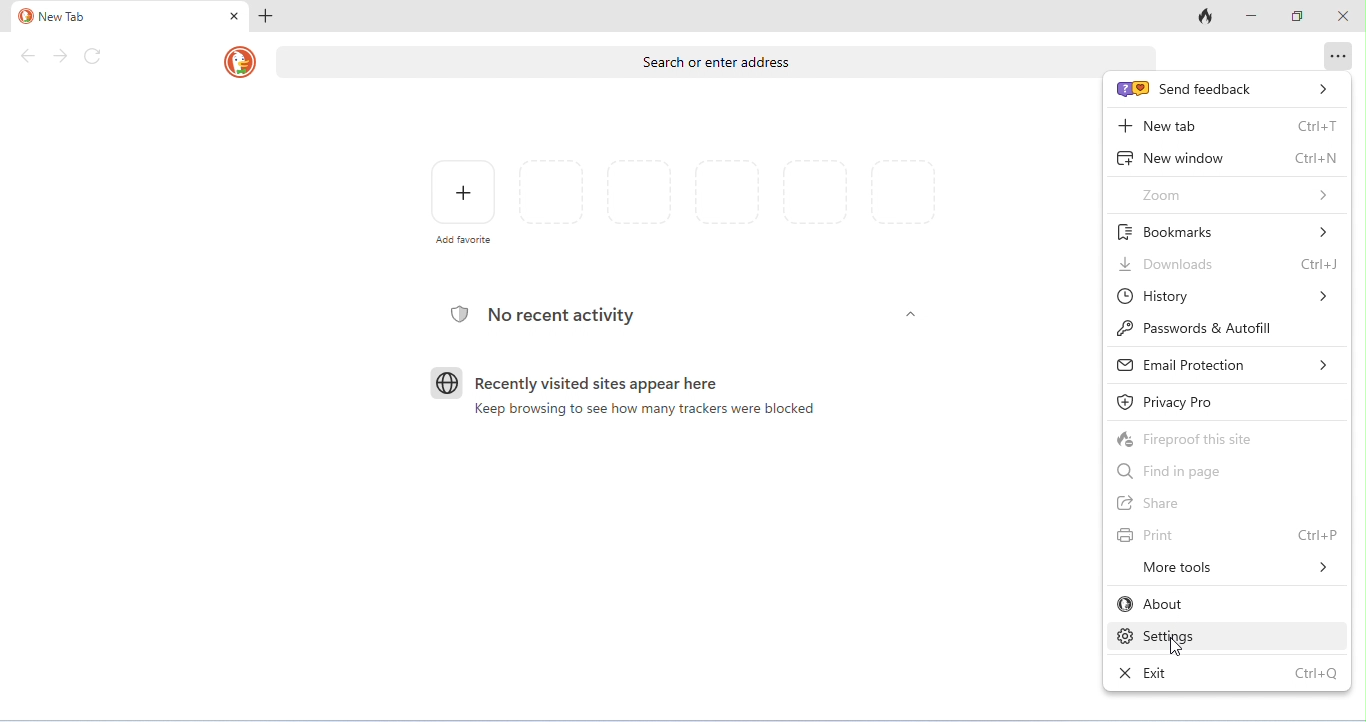  Describe the element at coordinates (1202, 17) in the screenshot. I see `close tabs and clear data` at that location.